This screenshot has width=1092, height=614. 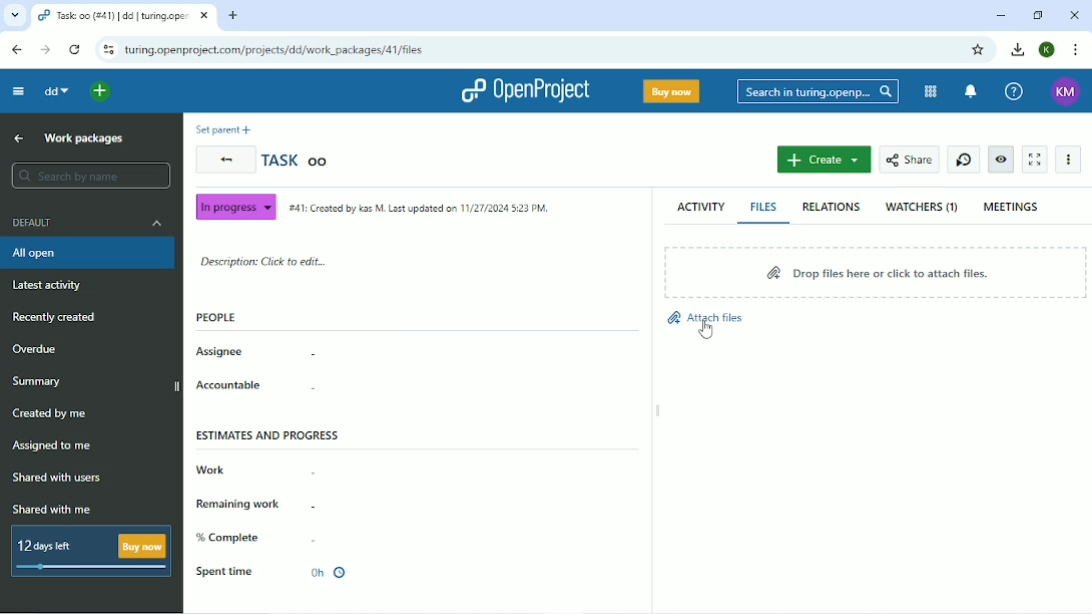 What do you see at coordinates (270, 435) in the screenshot?
I see `Estimates and progress` at bounding box center [270, 435].